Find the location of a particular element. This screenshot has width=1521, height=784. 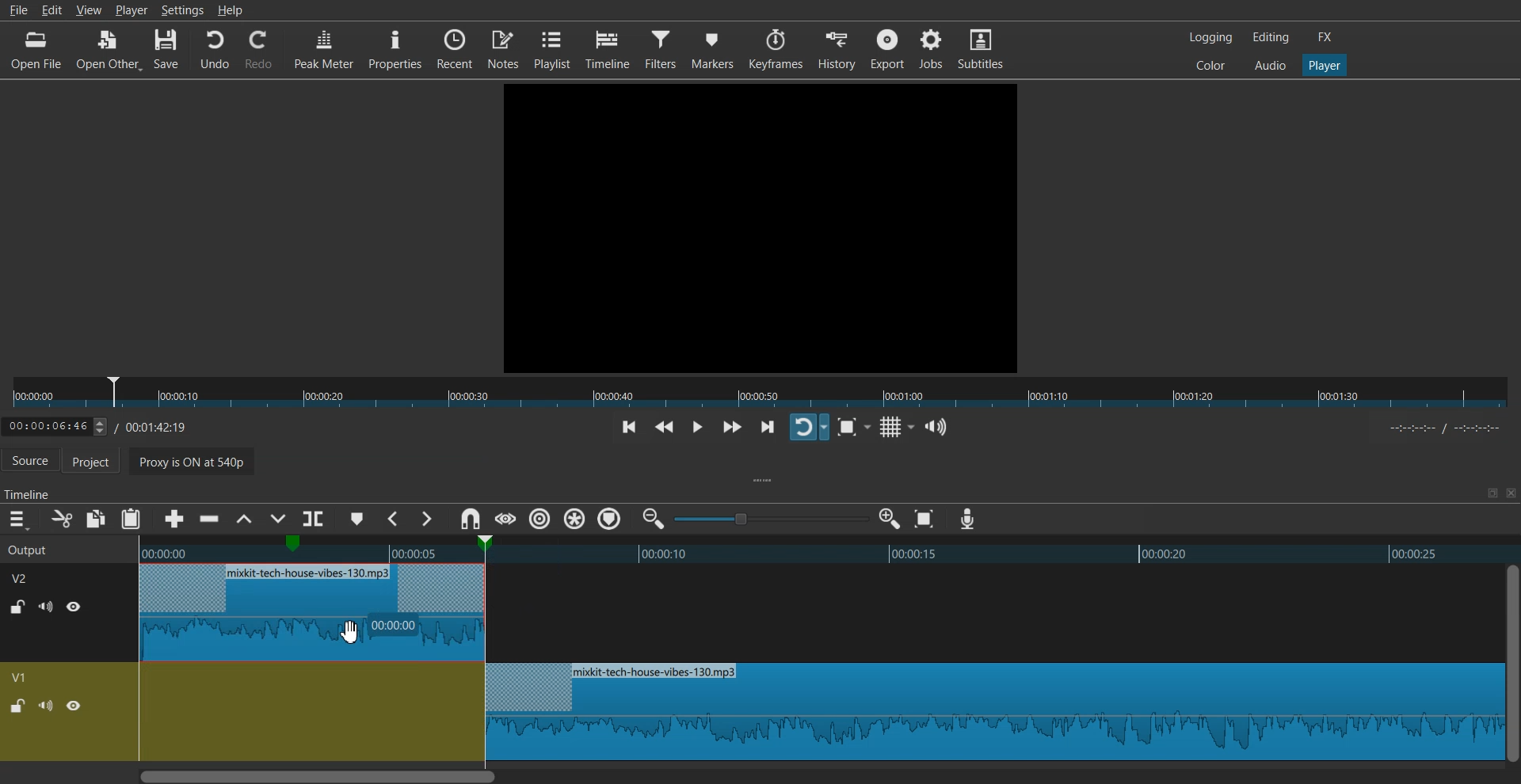

View is located at coordinates (89, 12).